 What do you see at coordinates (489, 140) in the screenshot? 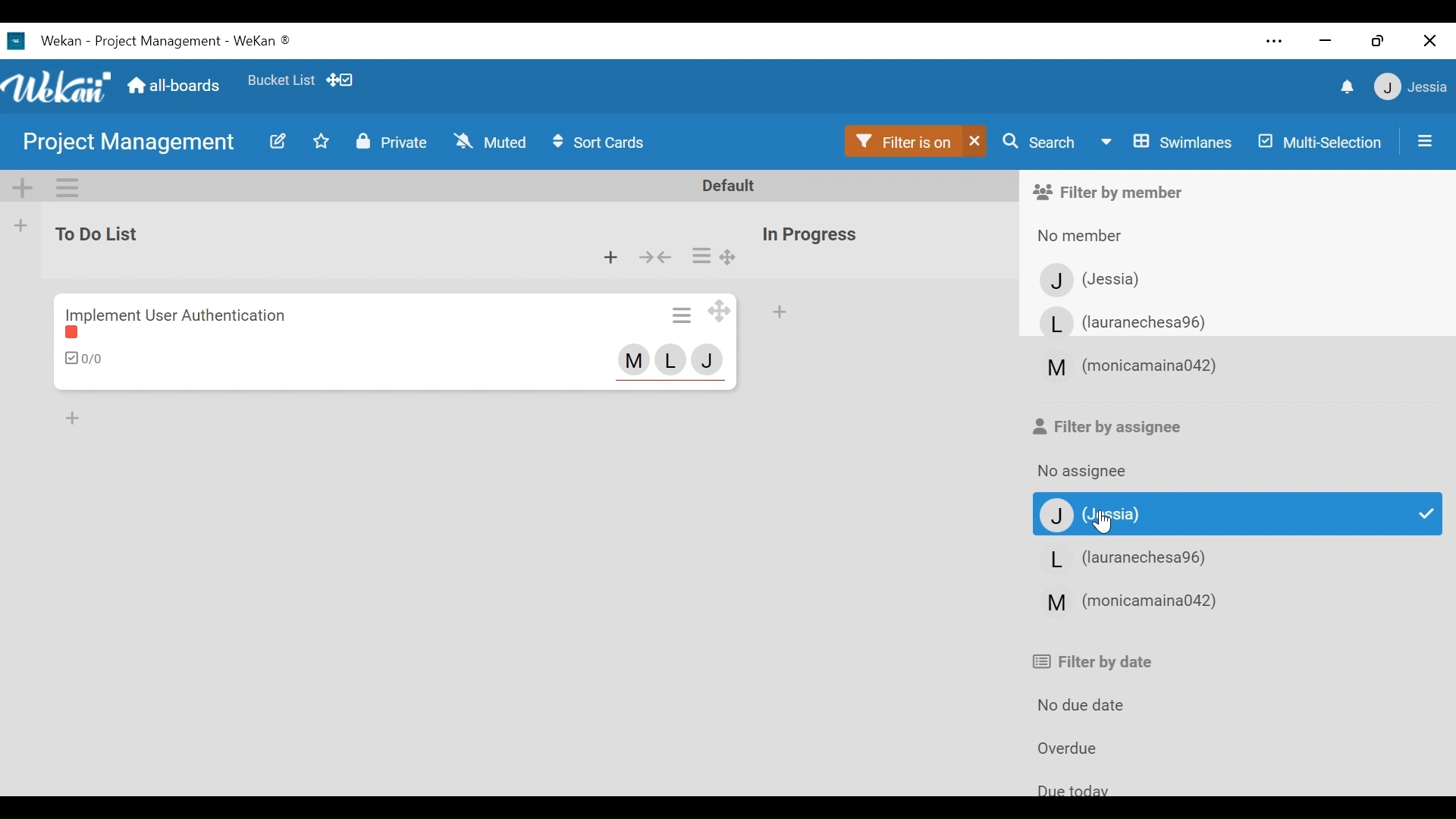
I see `Muted` at bounding box center [489, 140].